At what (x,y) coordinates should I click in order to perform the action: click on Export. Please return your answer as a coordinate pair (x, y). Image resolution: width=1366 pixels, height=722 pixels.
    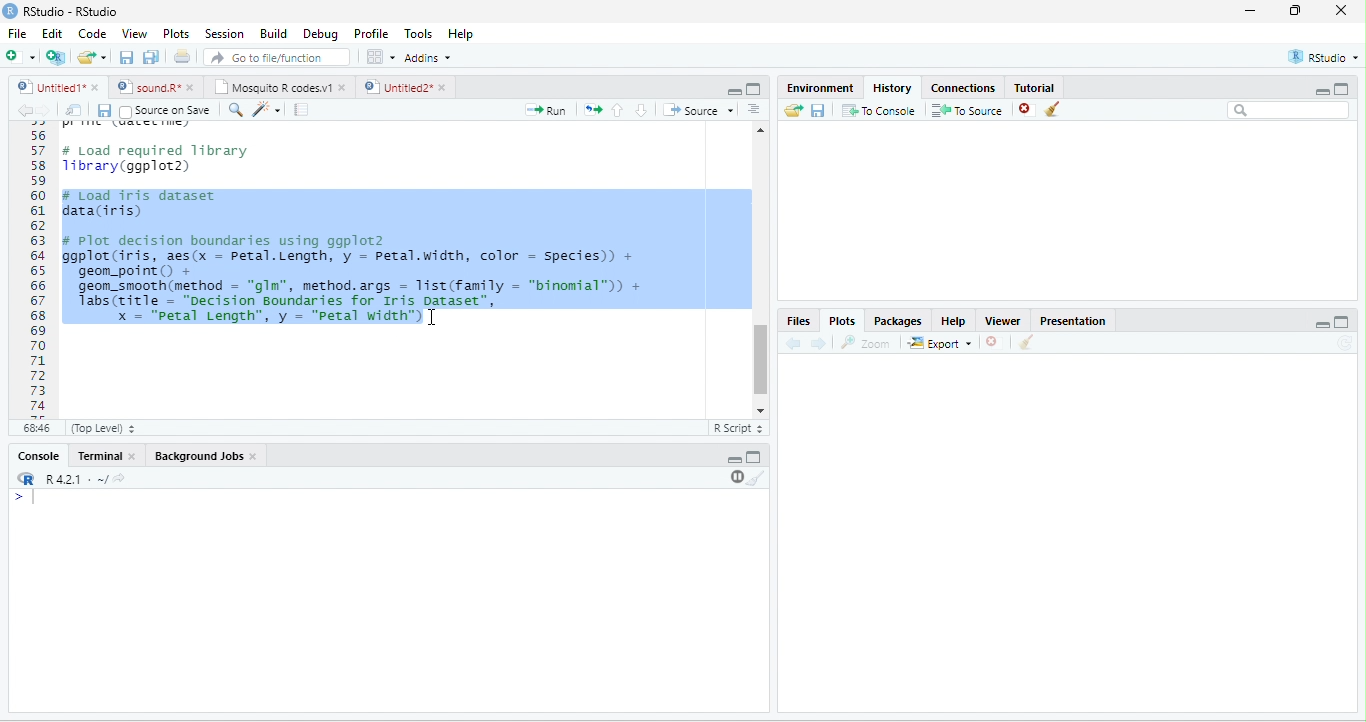
    Looking at the image, I should click on (940, 344).